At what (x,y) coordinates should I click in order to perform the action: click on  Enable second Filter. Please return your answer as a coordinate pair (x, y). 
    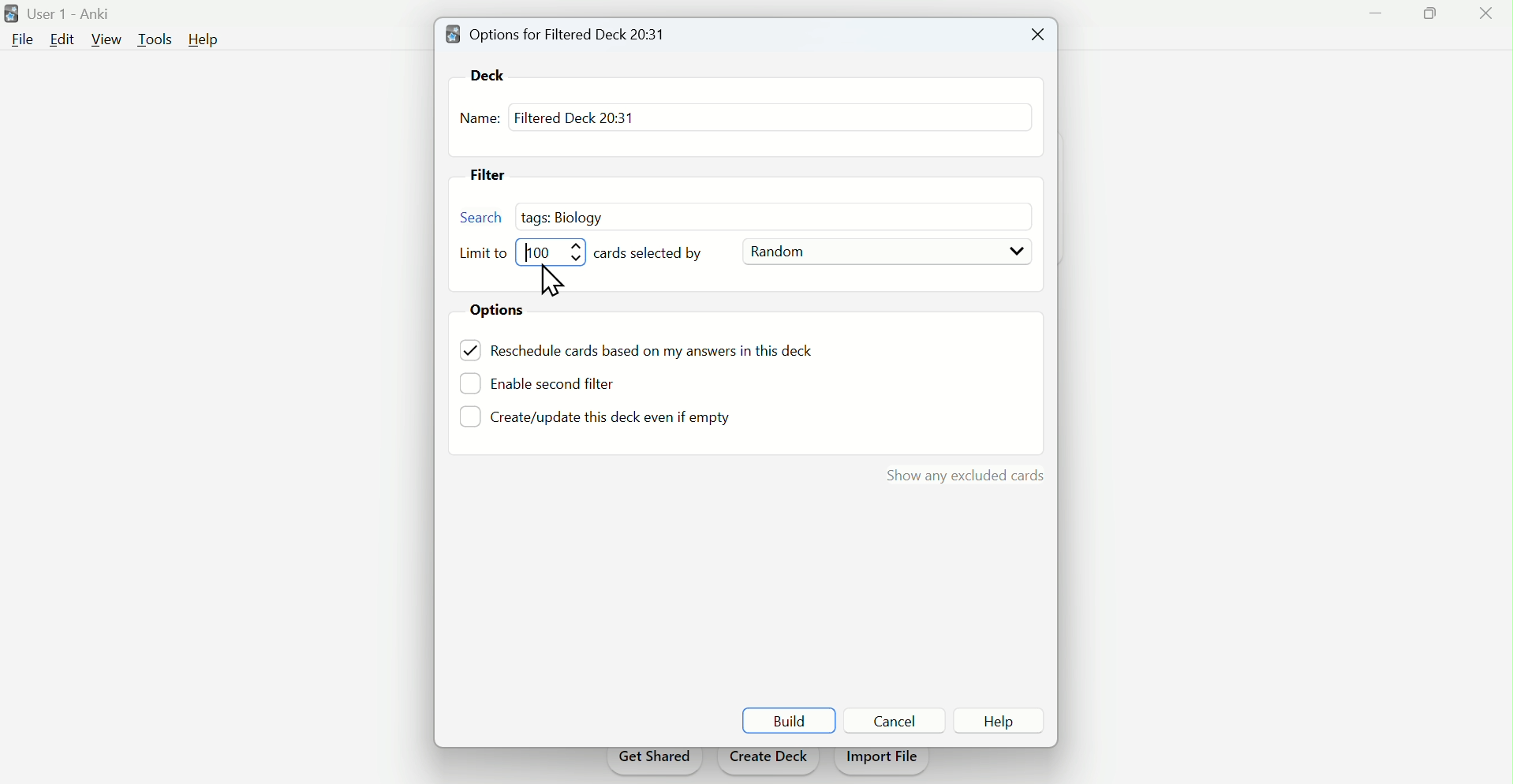
    Looking at the image, I should click on (564, 382).